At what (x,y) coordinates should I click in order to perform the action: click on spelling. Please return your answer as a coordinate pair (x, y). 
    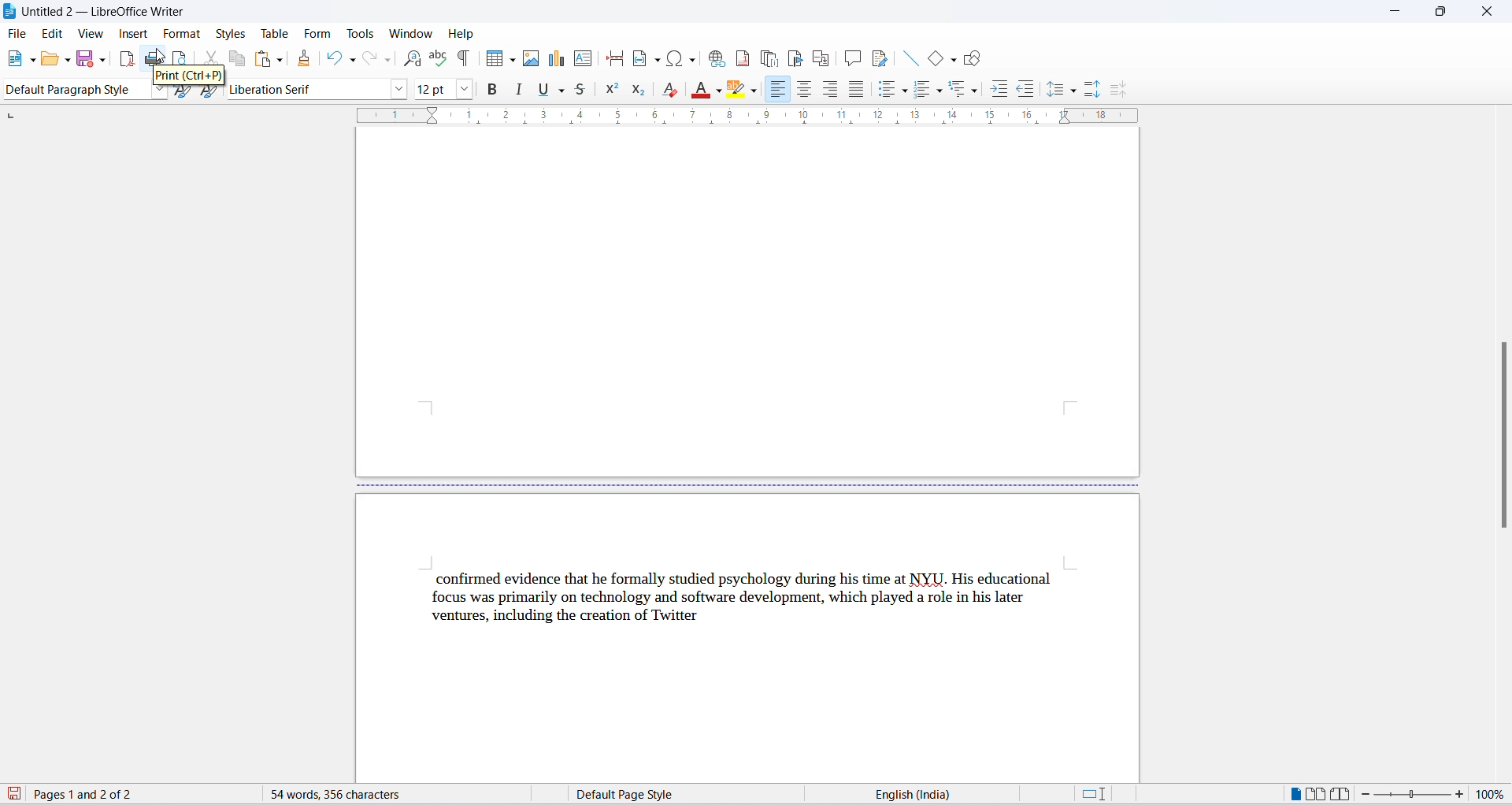
    Looking at the image, I should click on (439, 57).